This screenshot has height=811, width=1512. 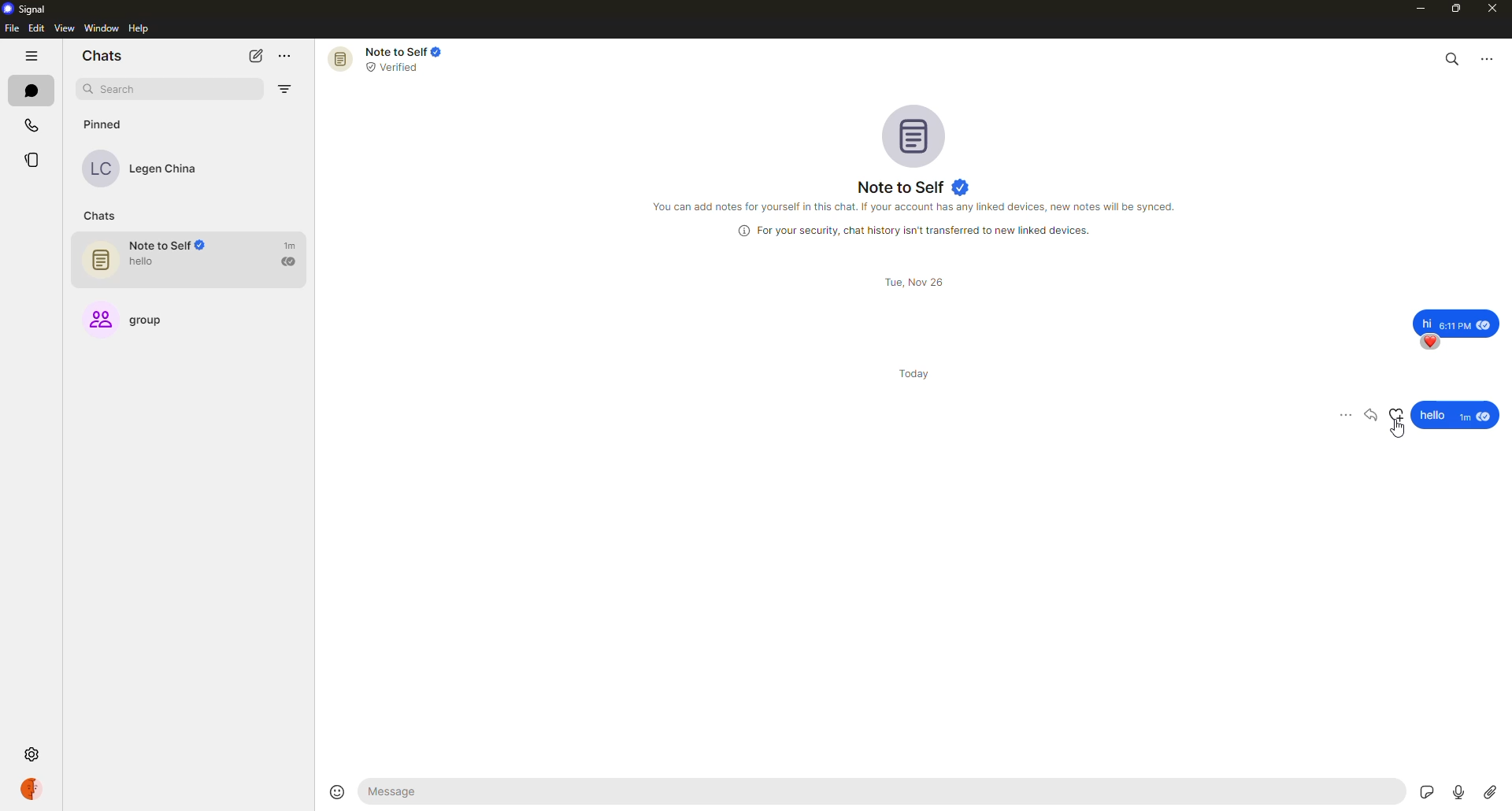 What do you see at coordinates (102, 54) in the screenshot?
I see `chats` at bounding box center [102, 54].